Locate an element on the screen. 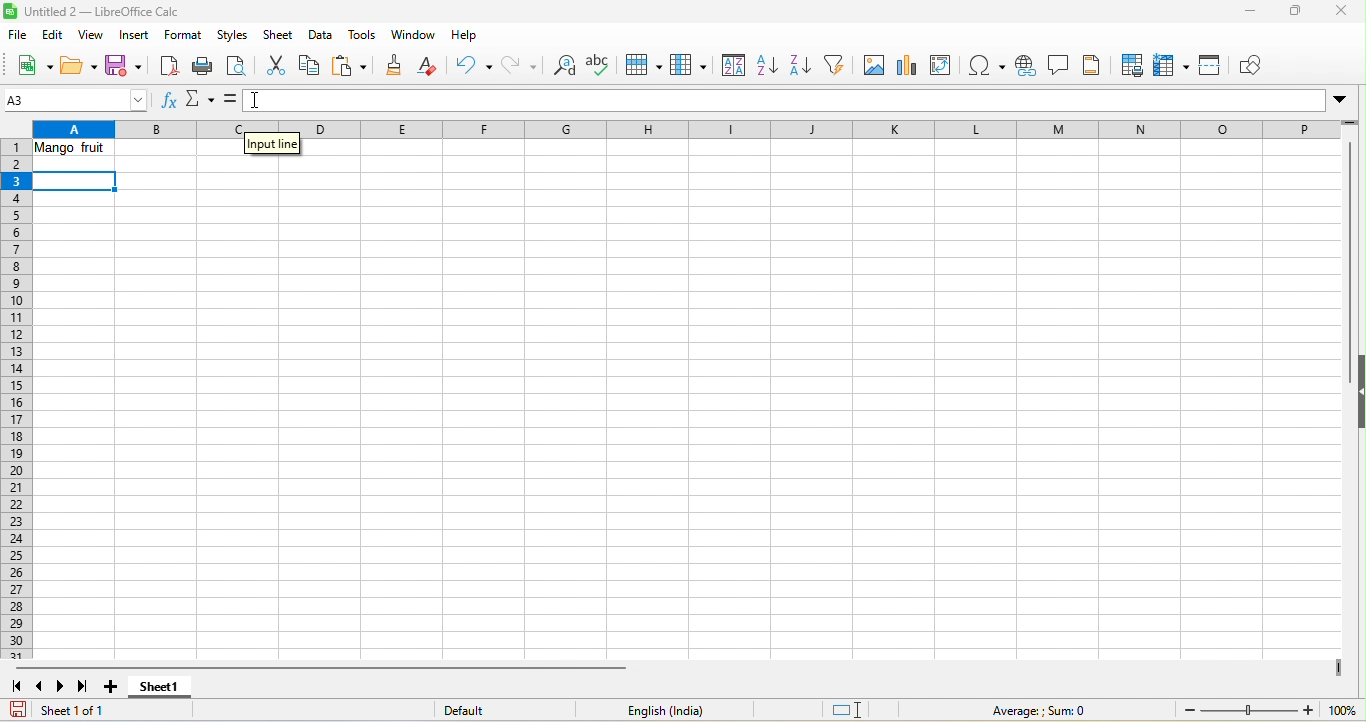 The height and width of the screenshot is (722, 1366). clone formatting is located at coordinates (397, 67).